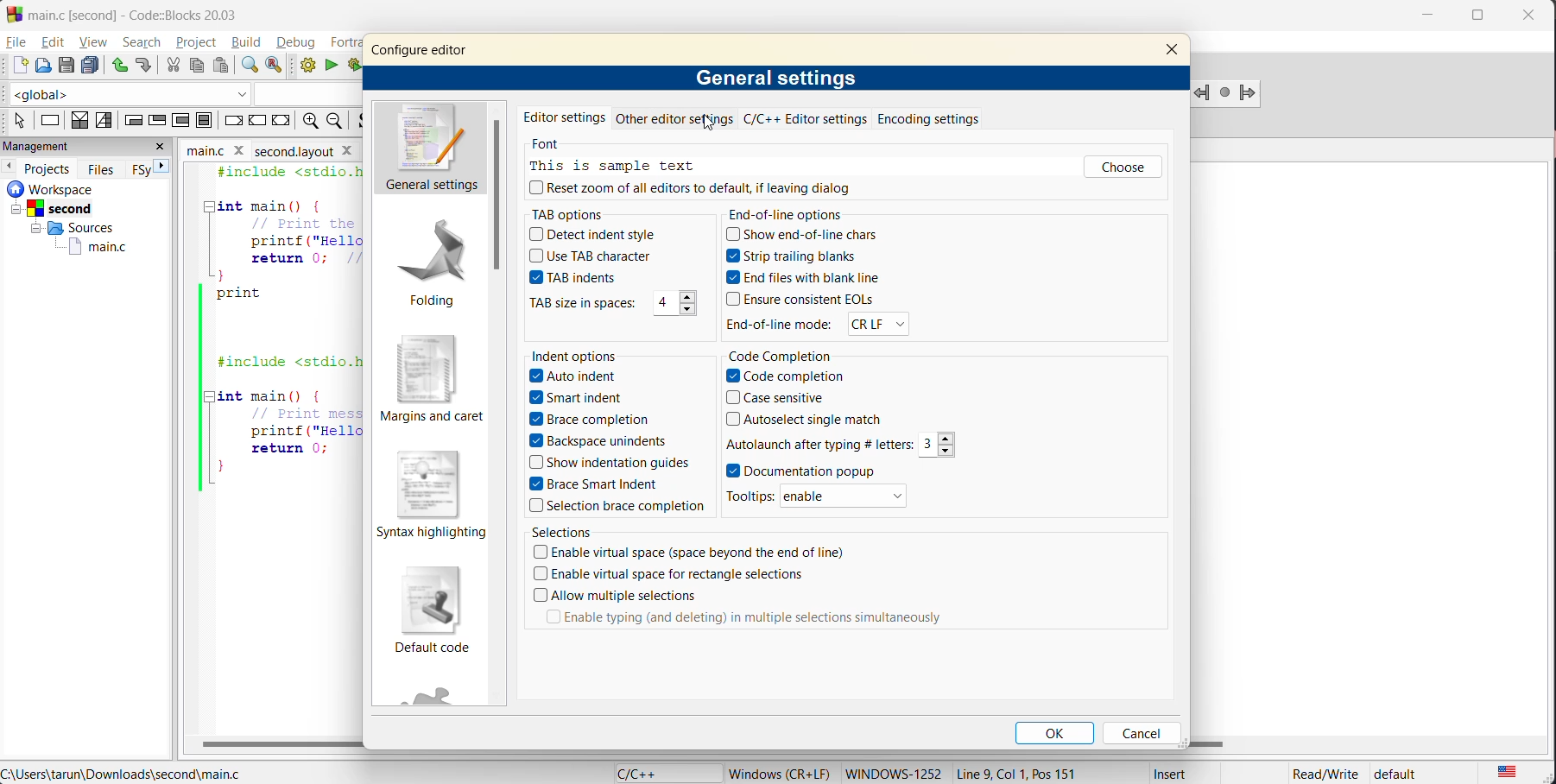  I want to click on Codeblock logo, so click(13, 14).